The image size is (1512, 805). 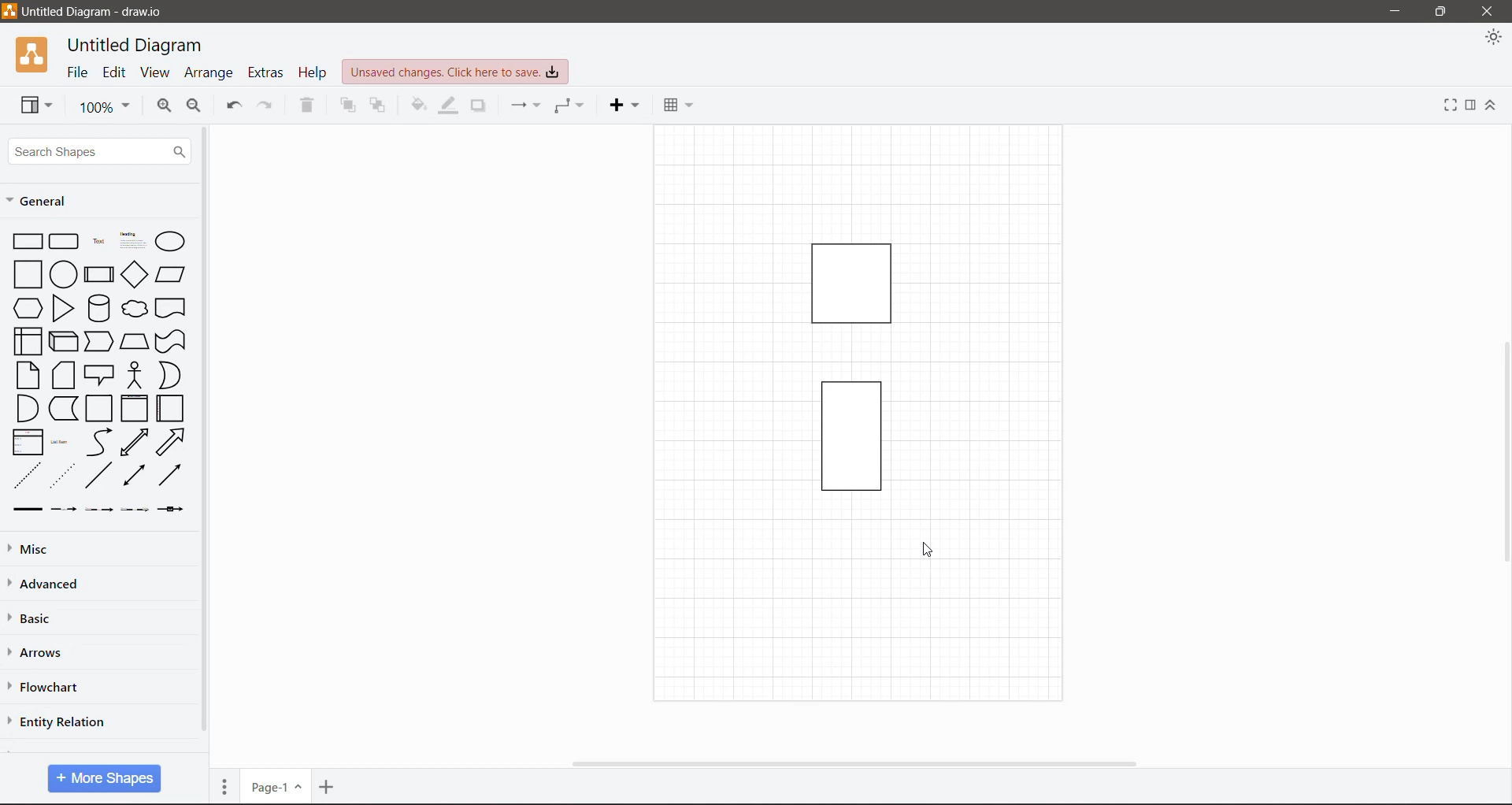 What do you see at coordinates (312, 71) in the screenshot?
I see `Help` at bounding box center [312, 71].